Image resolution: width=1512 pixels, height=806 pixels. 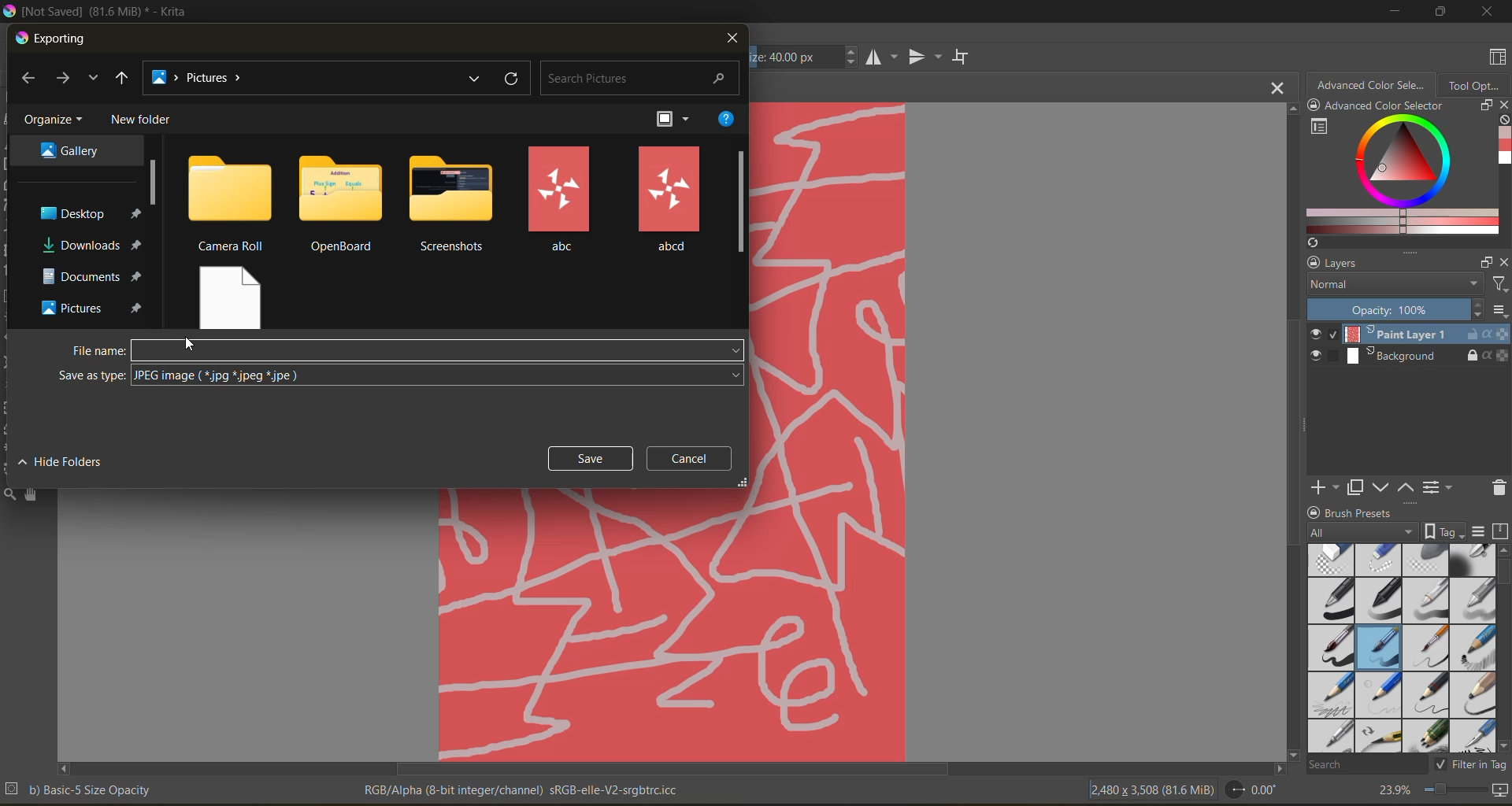 What do you see at coordinates (1407, 486) in the screenshot?
I see `mask up` at bounding box center [1407, 486].